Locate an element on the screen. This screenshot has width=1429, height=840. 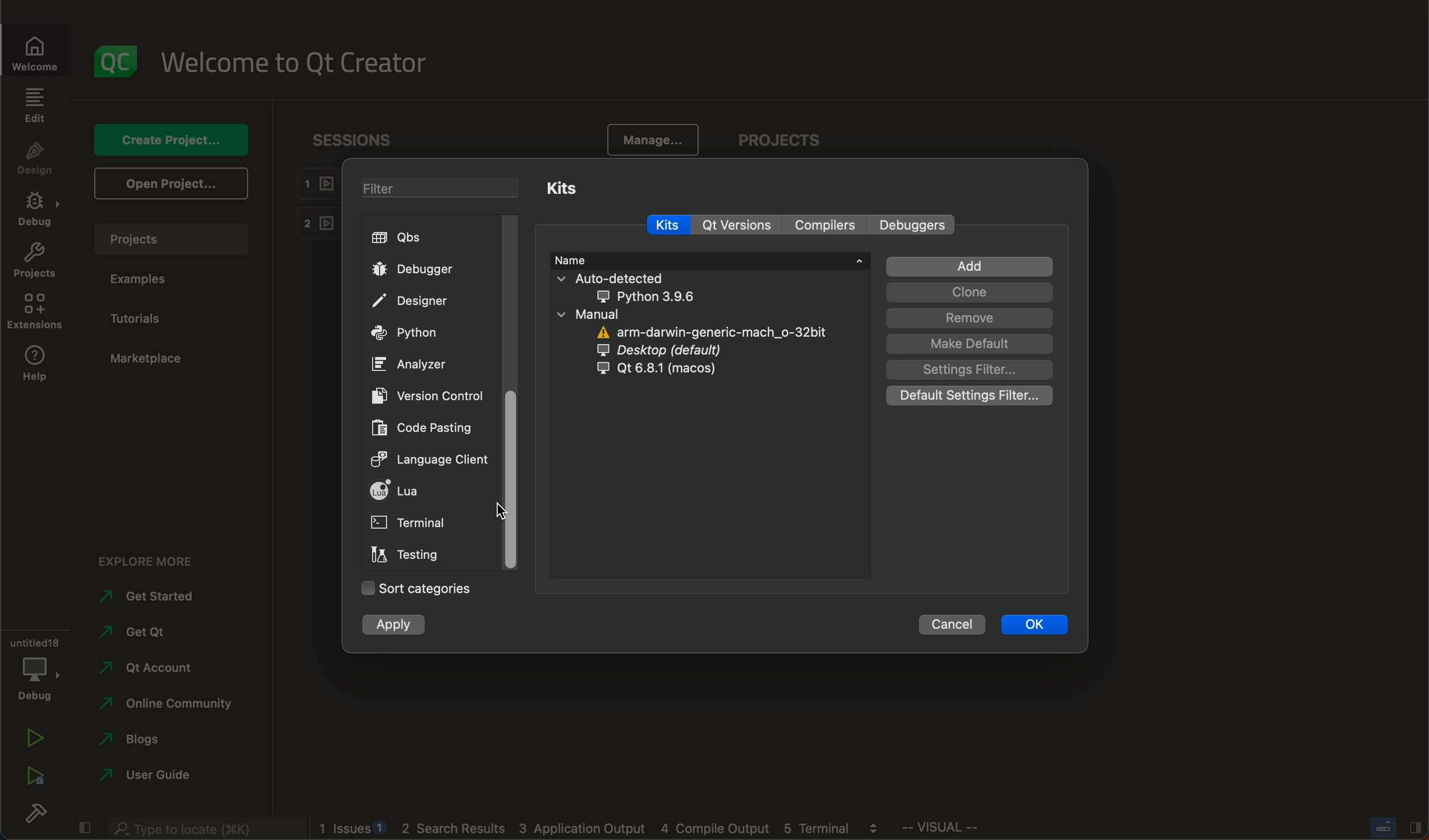
scrollbar is located at coordinates (512, 479).